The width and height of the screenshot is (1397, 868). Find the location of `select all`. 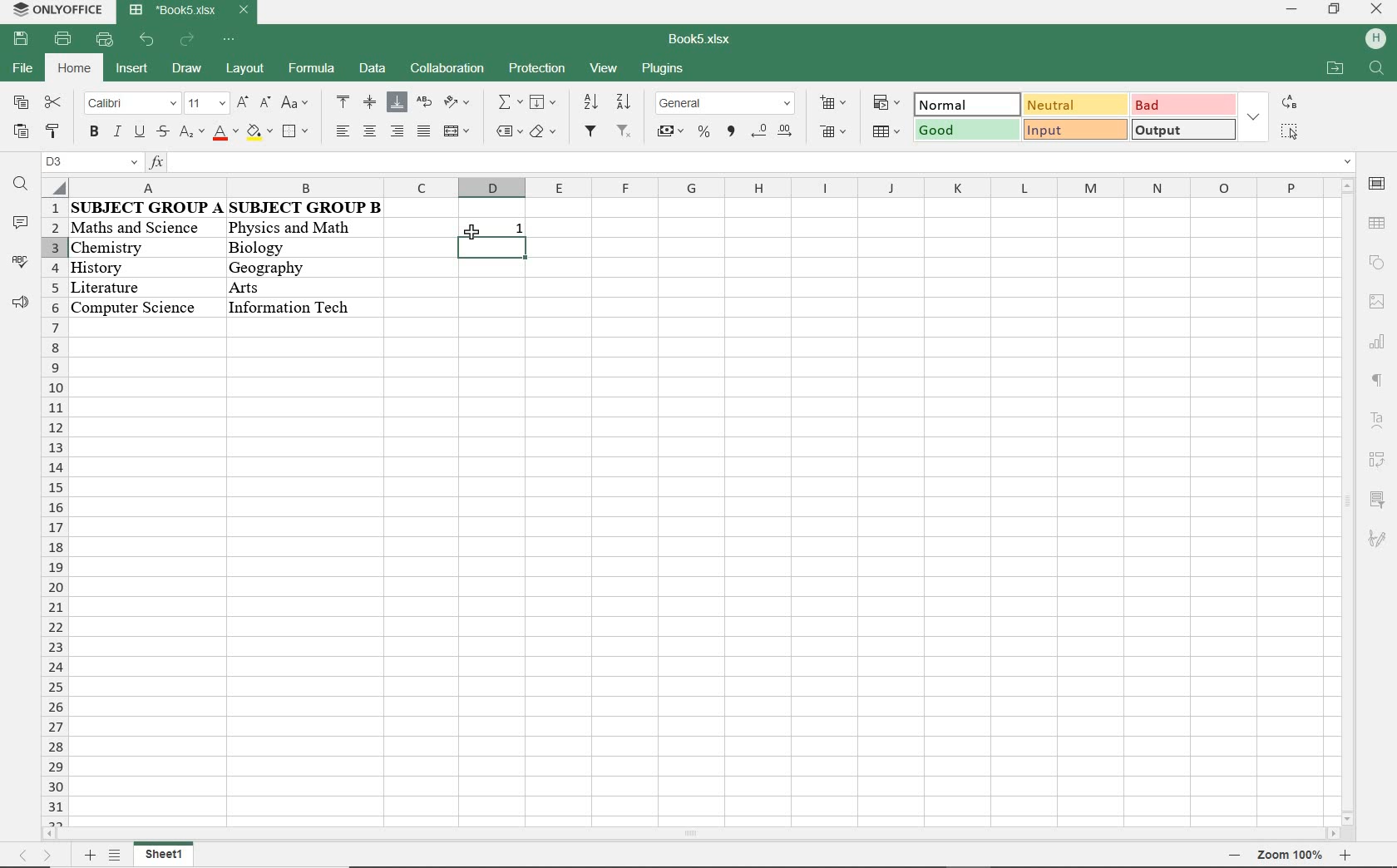

select all is located at coordinates (1290, 131).